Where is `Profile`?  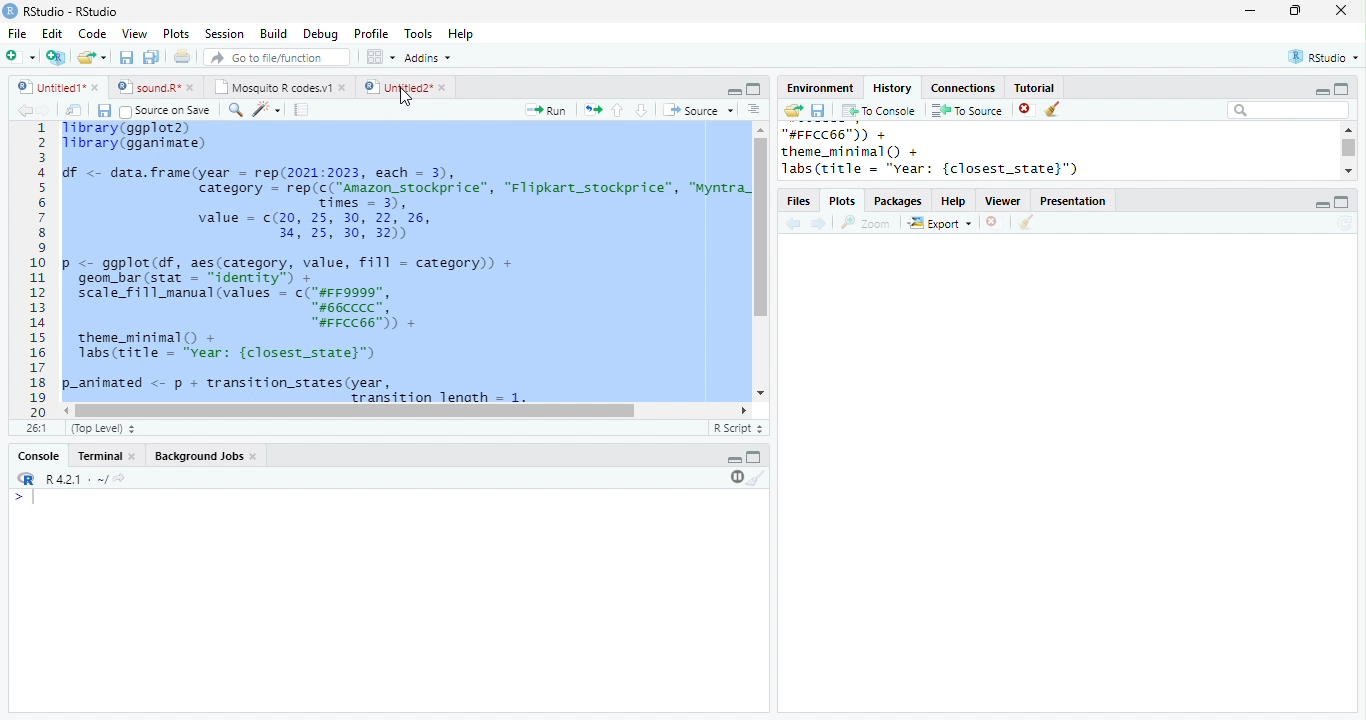
Profile is located at coordinates (372, 34).